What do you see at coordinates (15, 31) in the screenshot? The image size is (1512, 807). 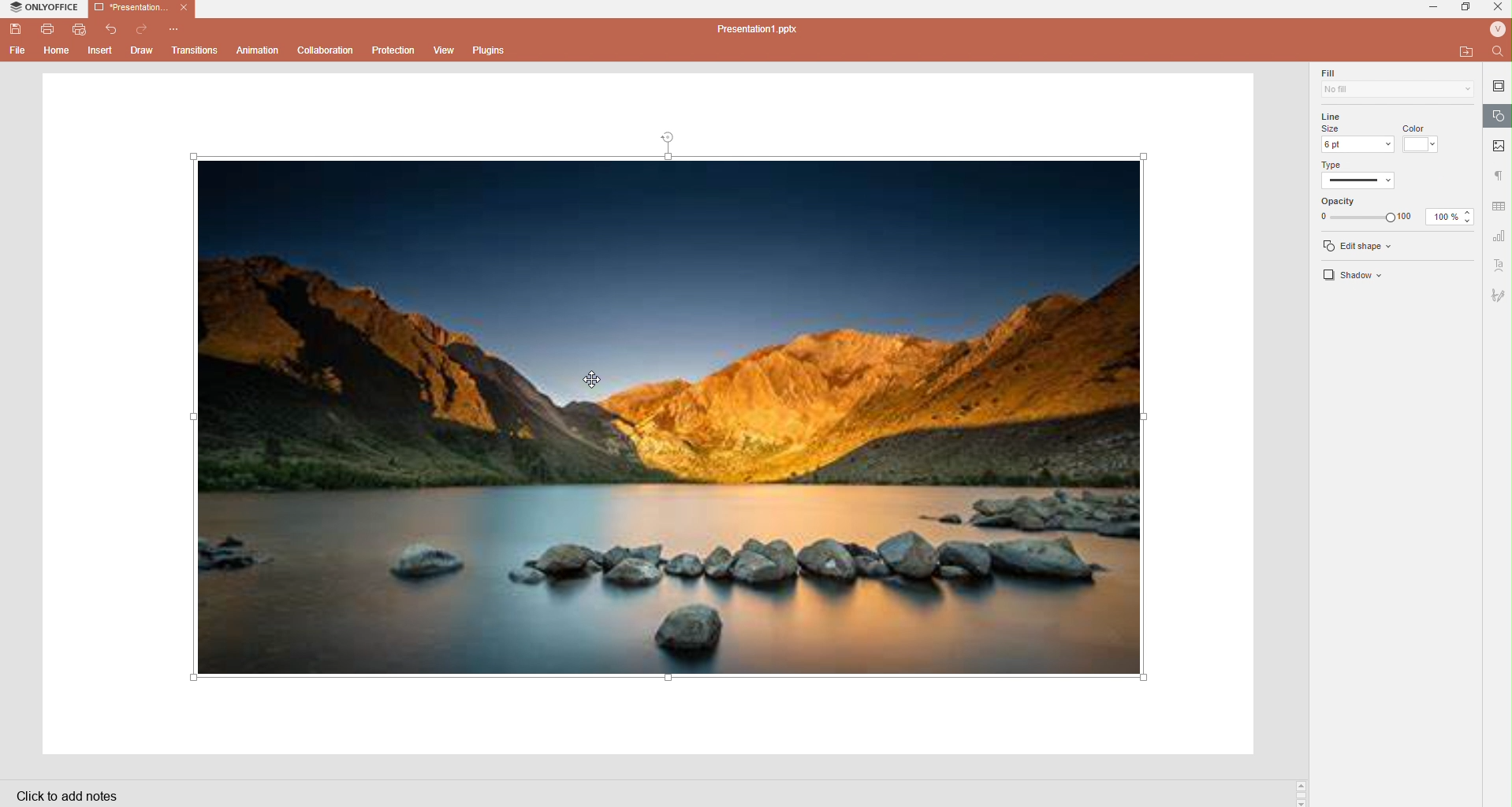 I see `Save file` at bounding box center [15, 31].